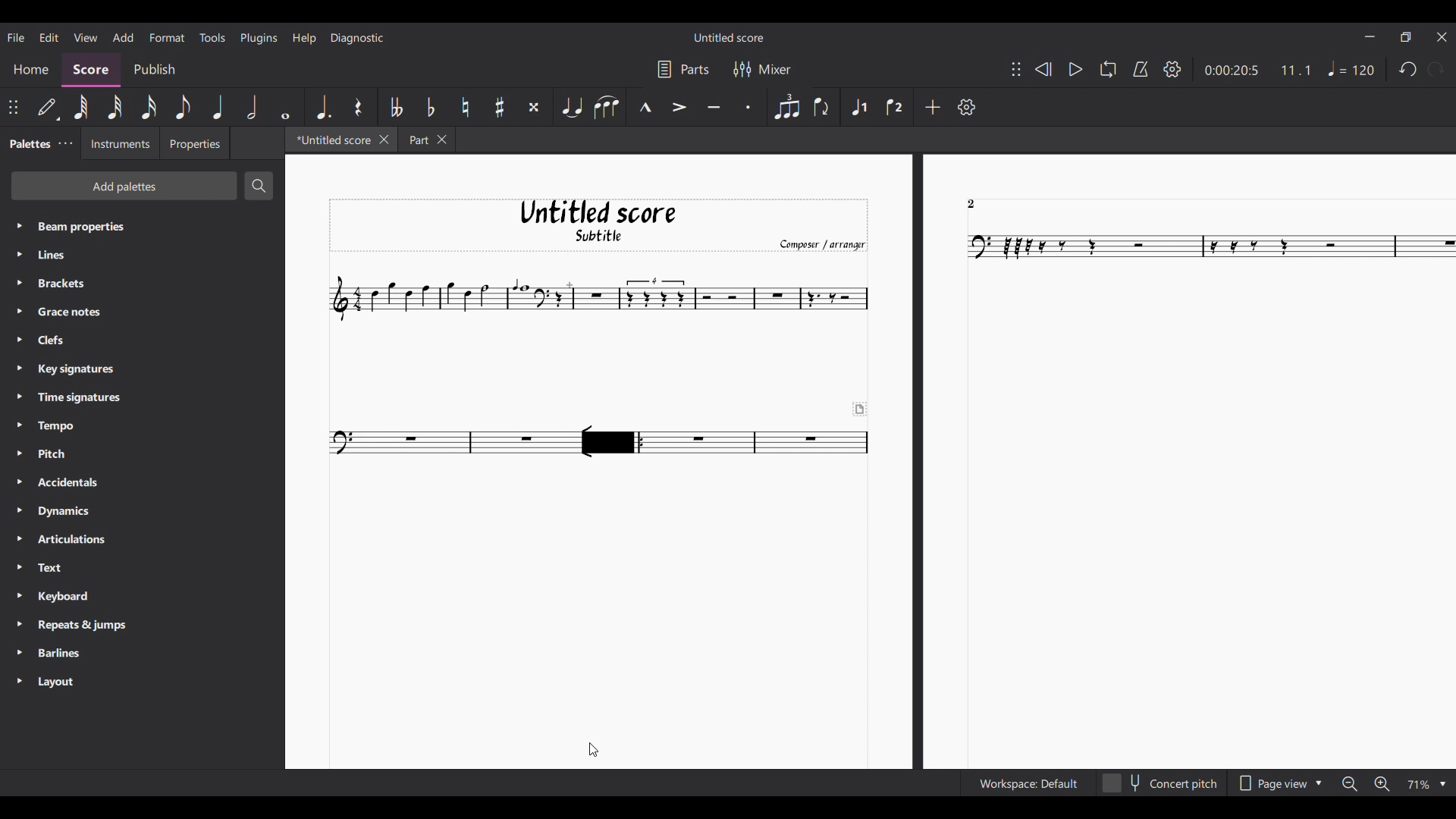 The width and height of the screenshot is (1456, 819). What do you see at coordinates (729, 37) in the screenshot?
I see `Score title` at bounding box center [729, 37].